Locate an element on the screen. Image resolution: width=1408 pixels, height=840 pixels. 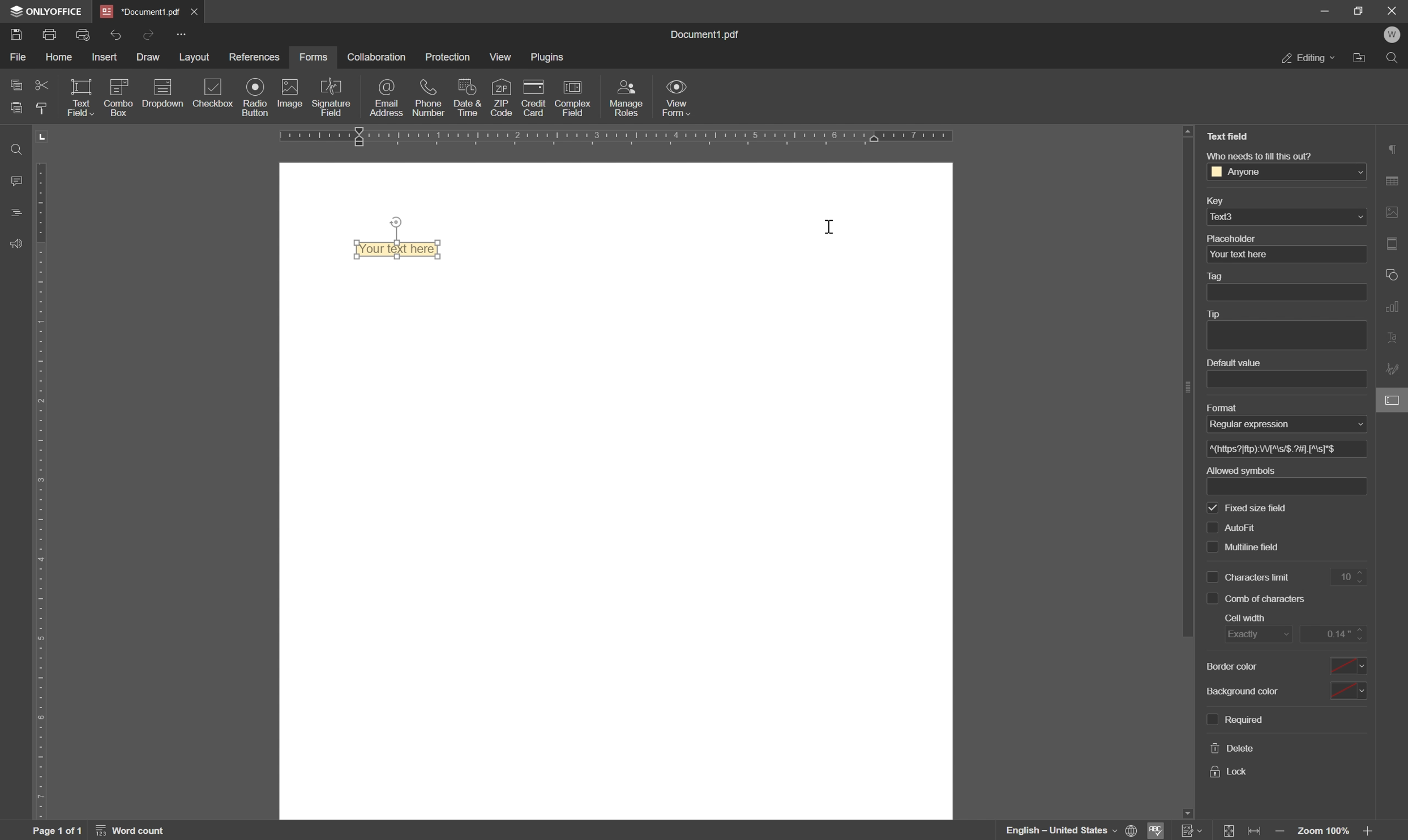
ruler is located at coordinates (45, 474).